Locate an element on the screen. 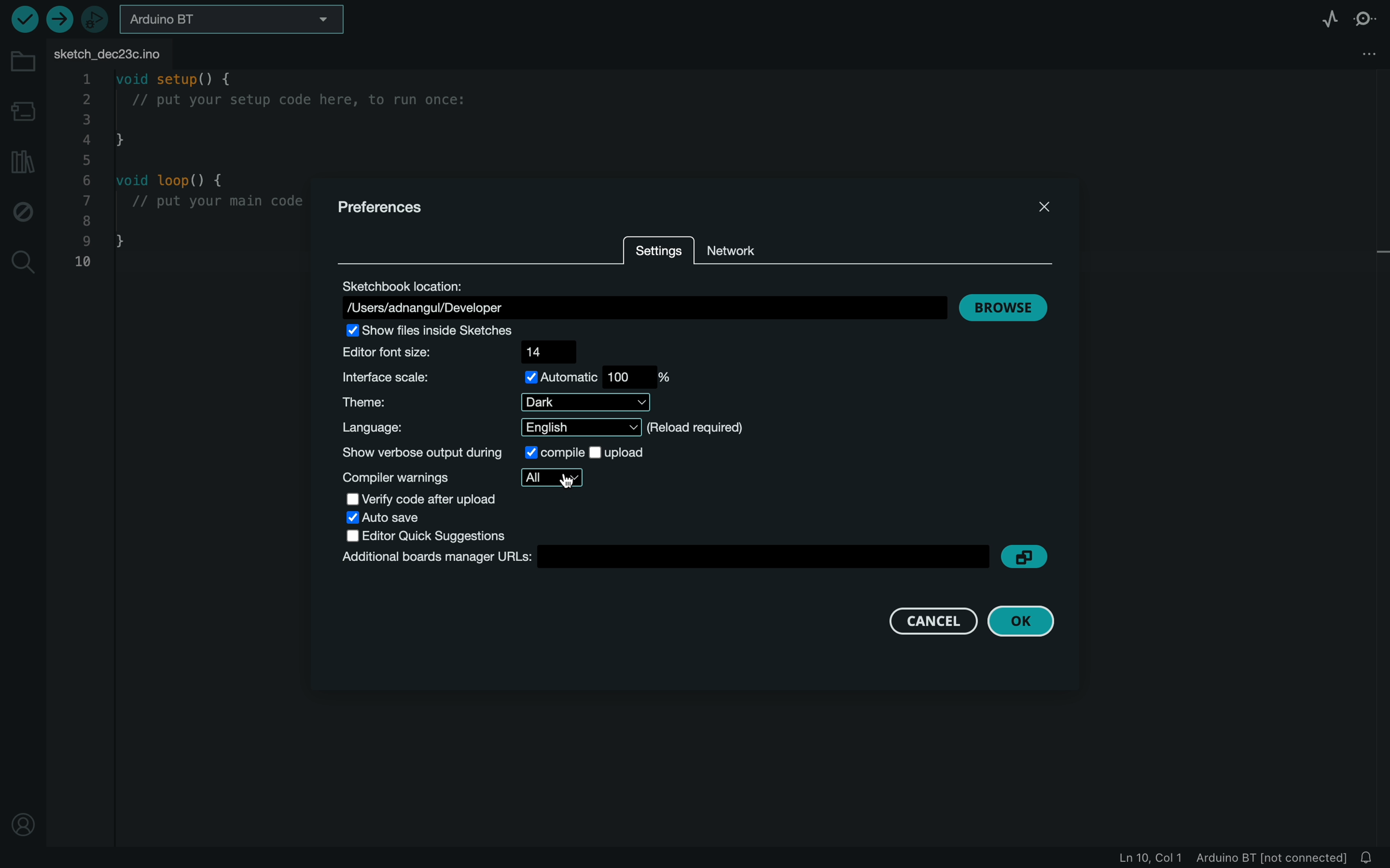  show verbose outpur is located at coordinates (495, 453).